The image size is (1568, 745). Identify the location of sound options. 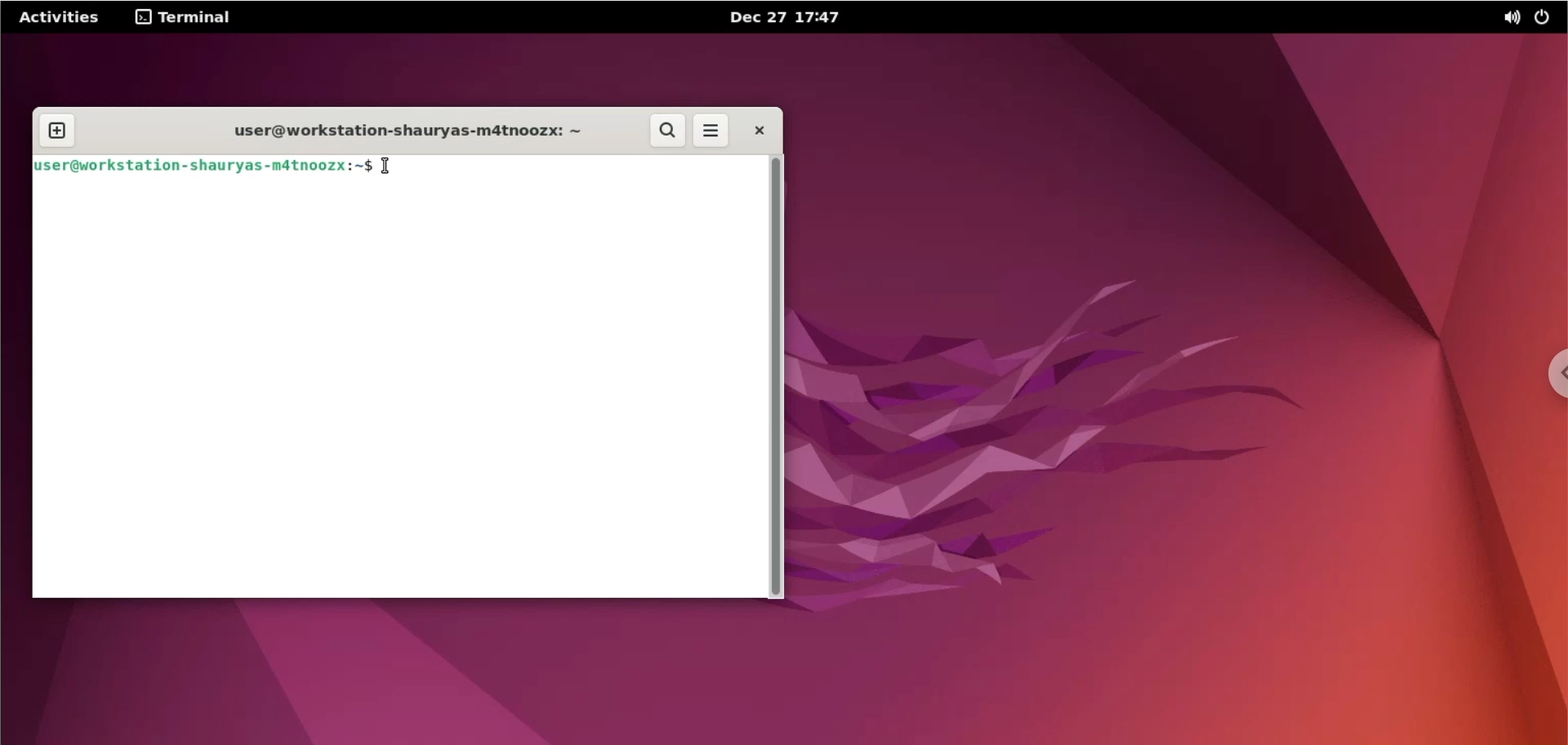
(1508, 16).